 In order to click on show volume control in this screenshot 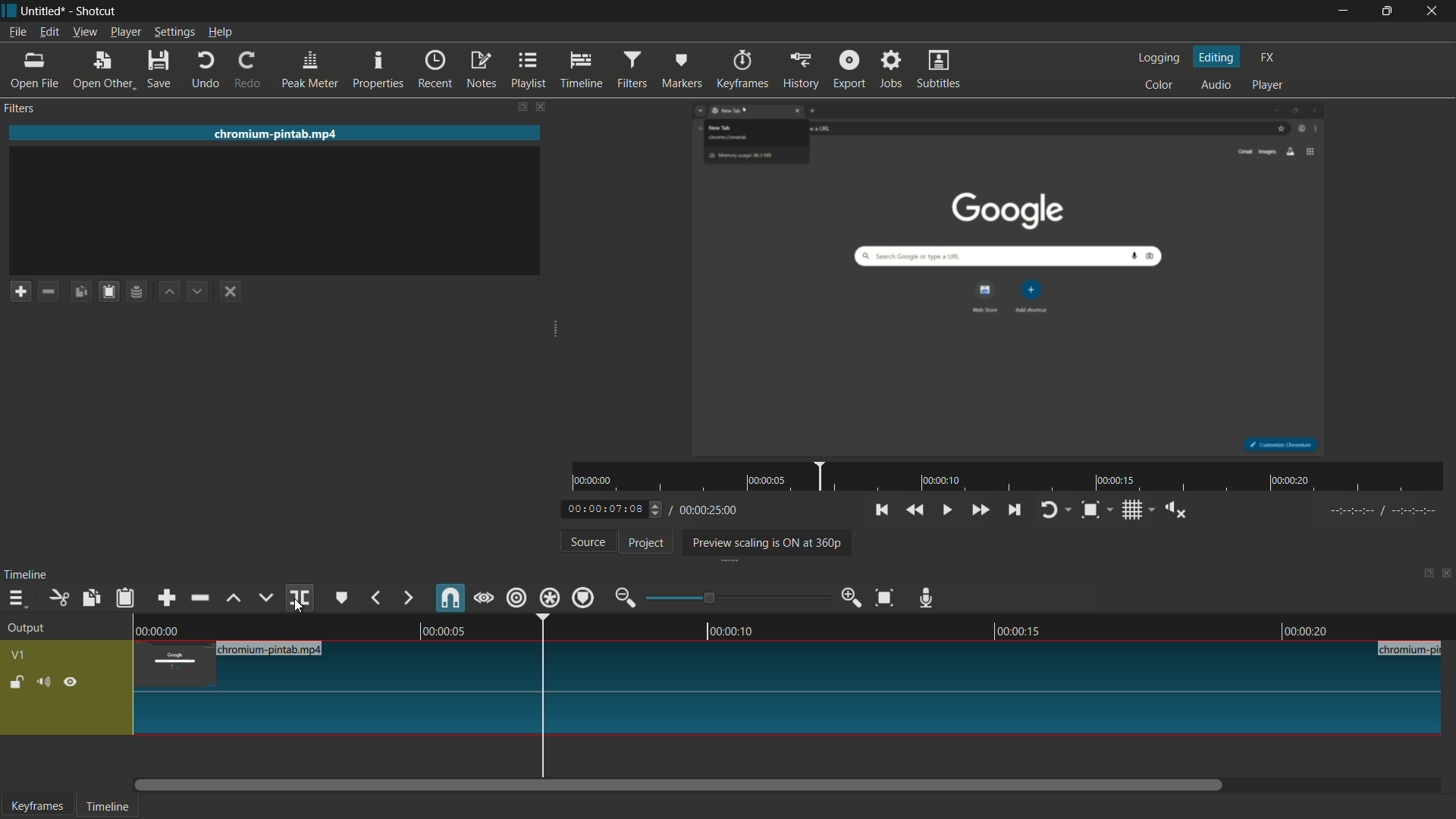, I will do `click(1181, 510)`.